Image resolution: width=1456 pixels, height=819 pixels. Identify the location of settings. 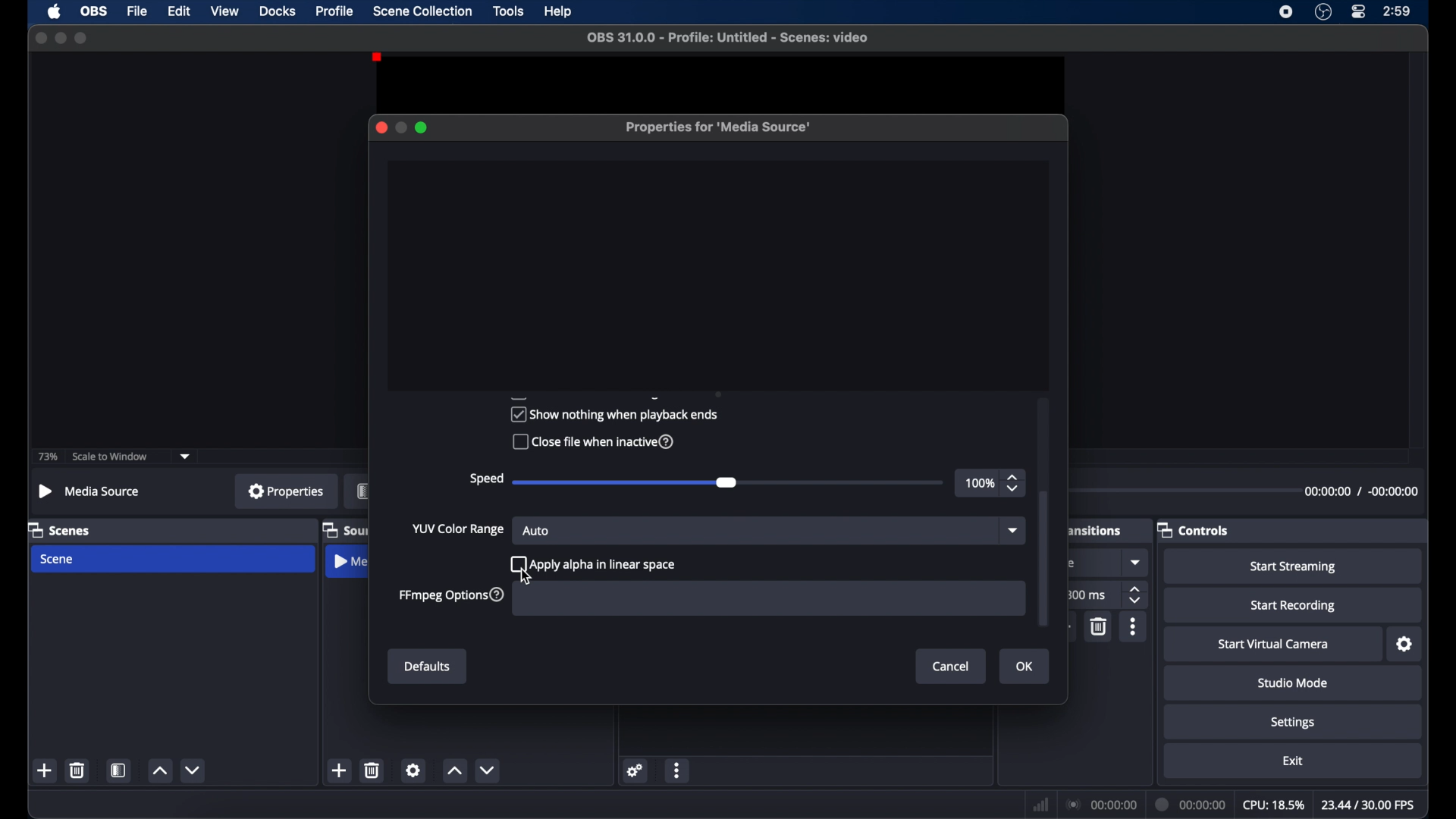
(1406, 645).